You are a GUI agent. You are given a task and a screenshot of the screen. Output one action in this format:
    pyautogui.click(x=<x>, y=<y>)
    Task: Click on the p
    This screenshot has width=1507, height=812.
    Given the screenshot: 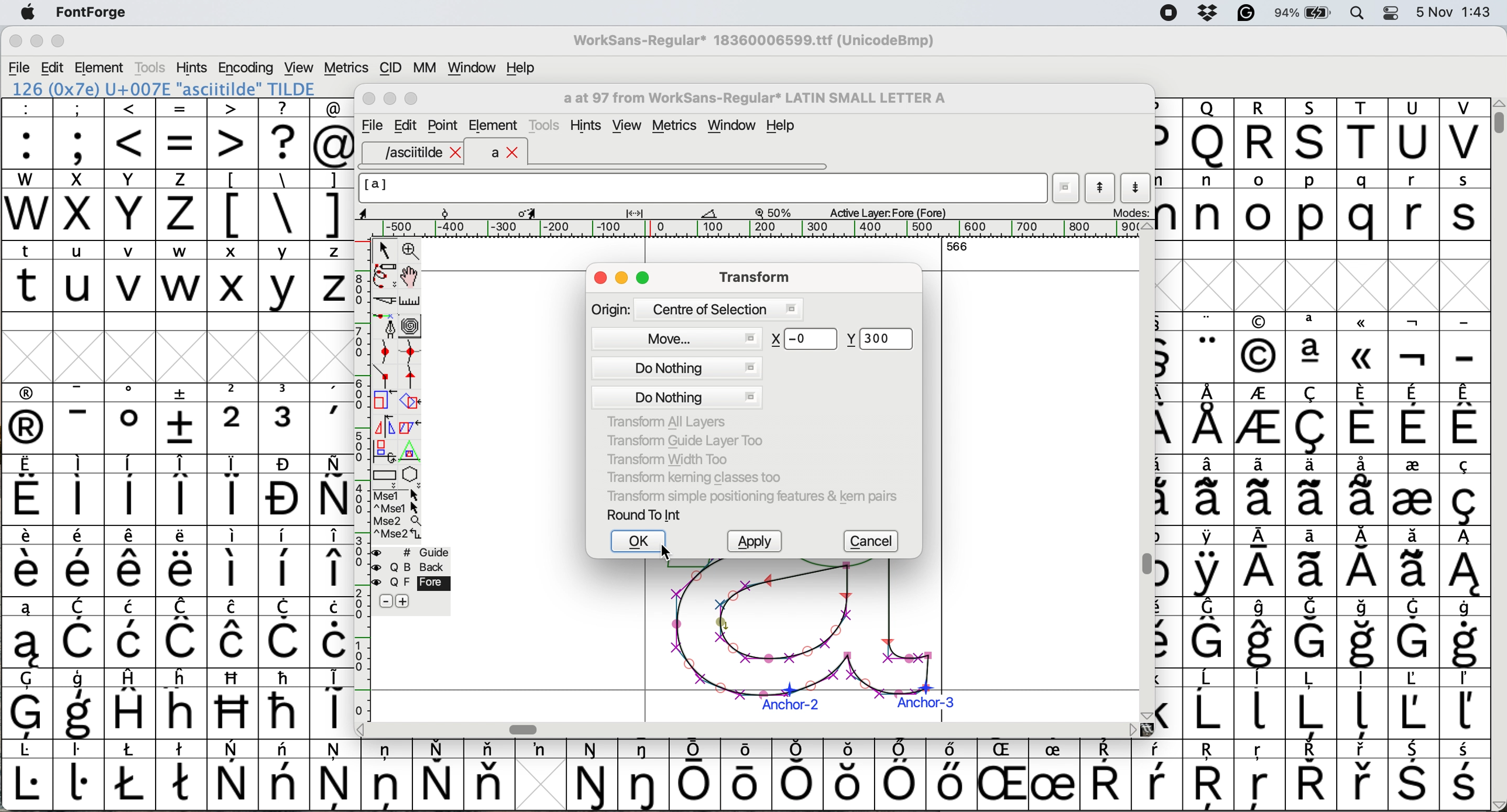 What is the action you would take?
    pyautogui.click(x=1312, y=207)
    